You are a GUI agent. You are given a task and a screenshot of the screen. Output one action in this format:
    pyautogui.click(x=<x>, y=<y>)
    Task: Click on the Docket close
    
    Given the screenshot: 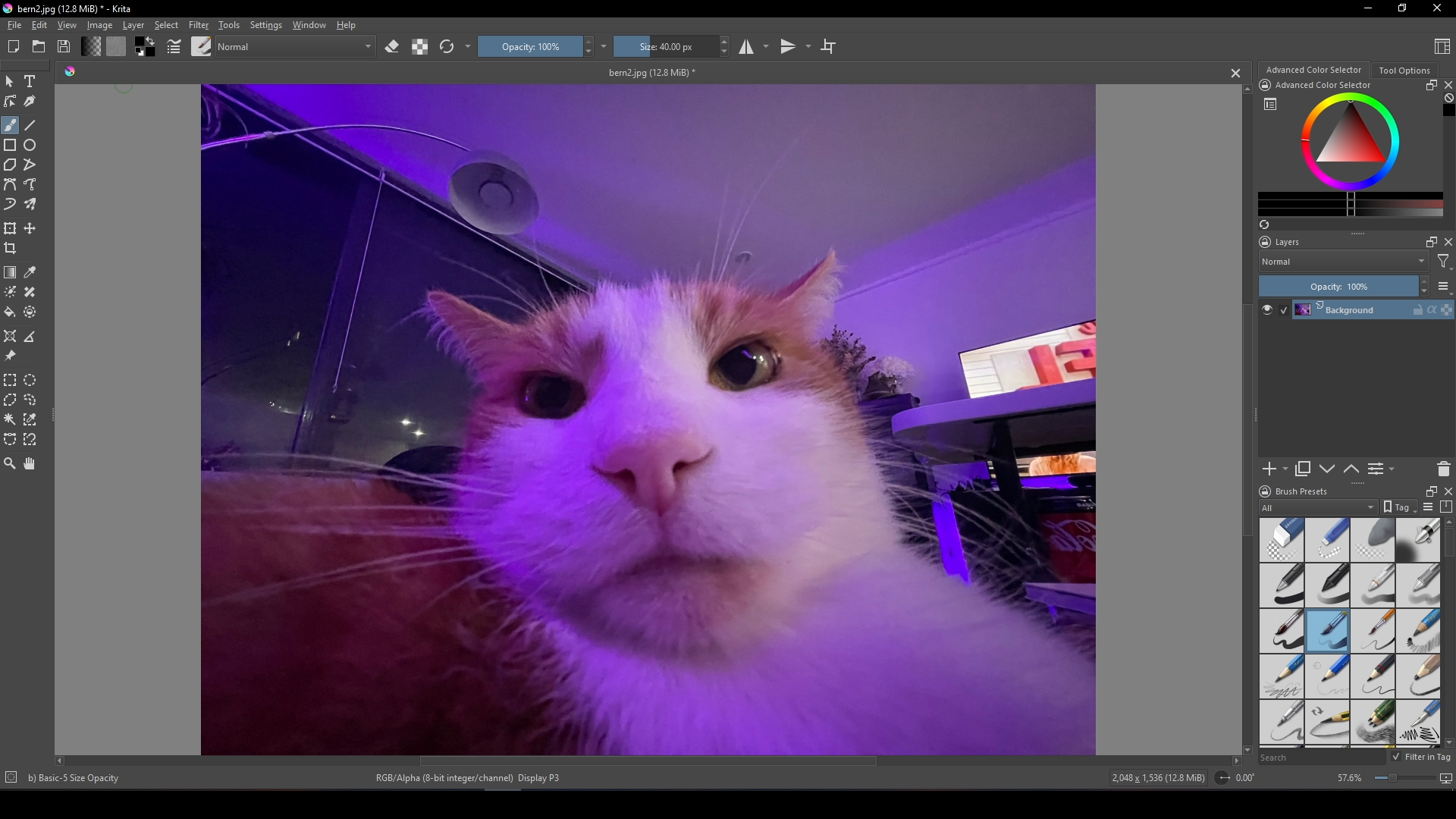 What is the action you would take?
    pyautogui.click(x=1447, y=242)
    